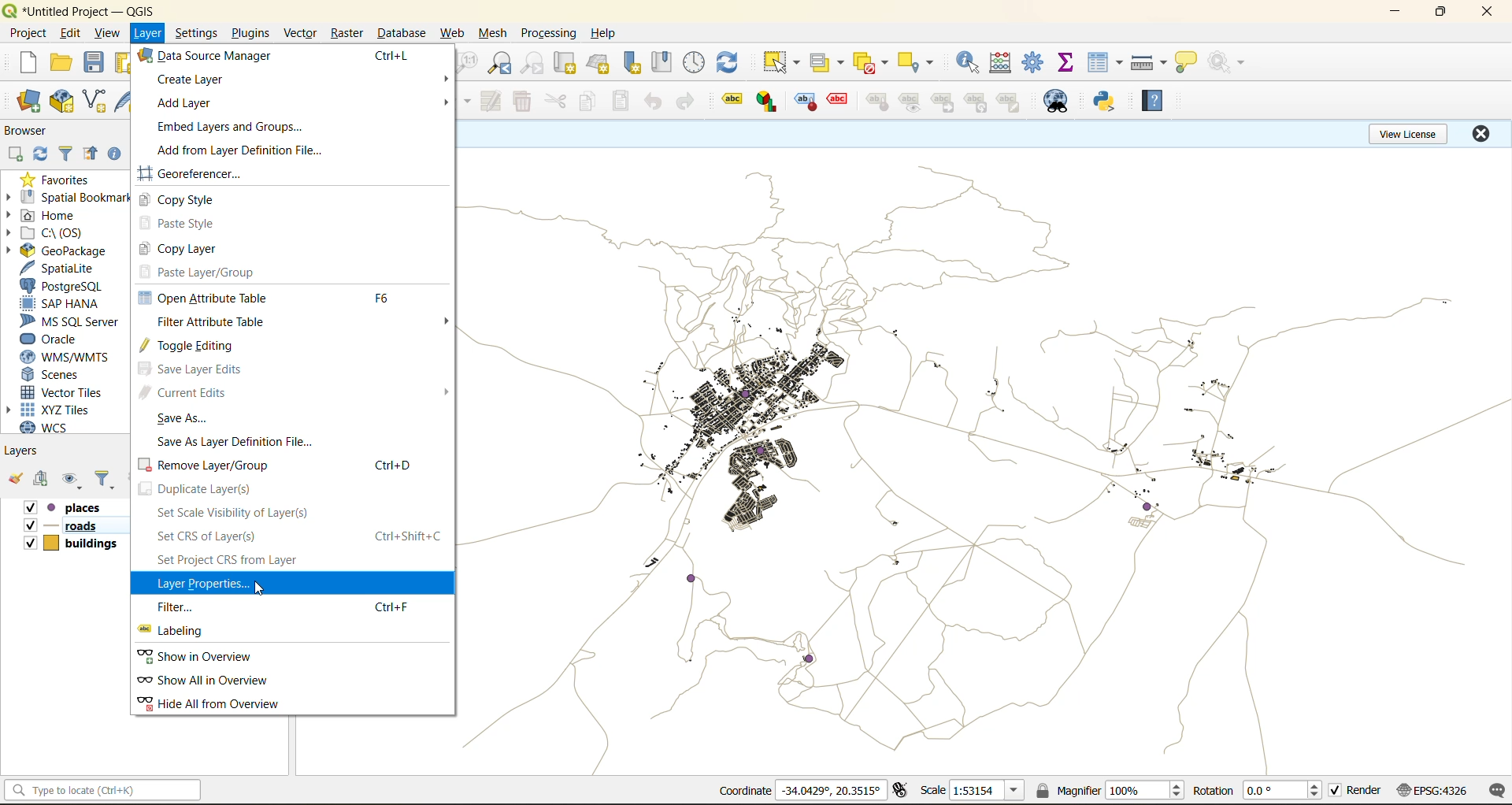 Image resolution: width=1512 pixels, height=805 pixels. I want to click on places, so click(76, 507).